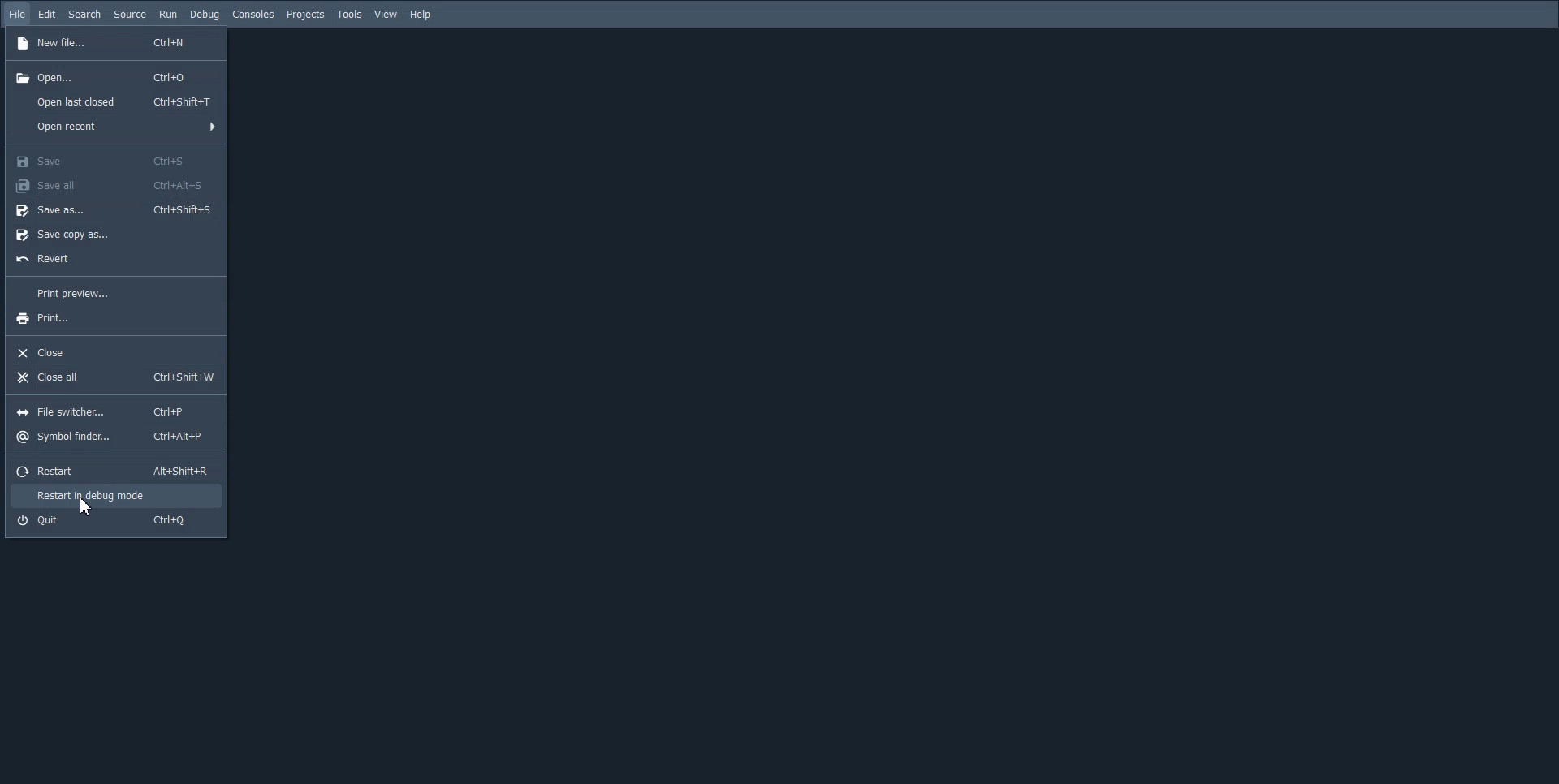 This screenshot has height=784, width=1559. I want to click on Search, so click(84, 15).